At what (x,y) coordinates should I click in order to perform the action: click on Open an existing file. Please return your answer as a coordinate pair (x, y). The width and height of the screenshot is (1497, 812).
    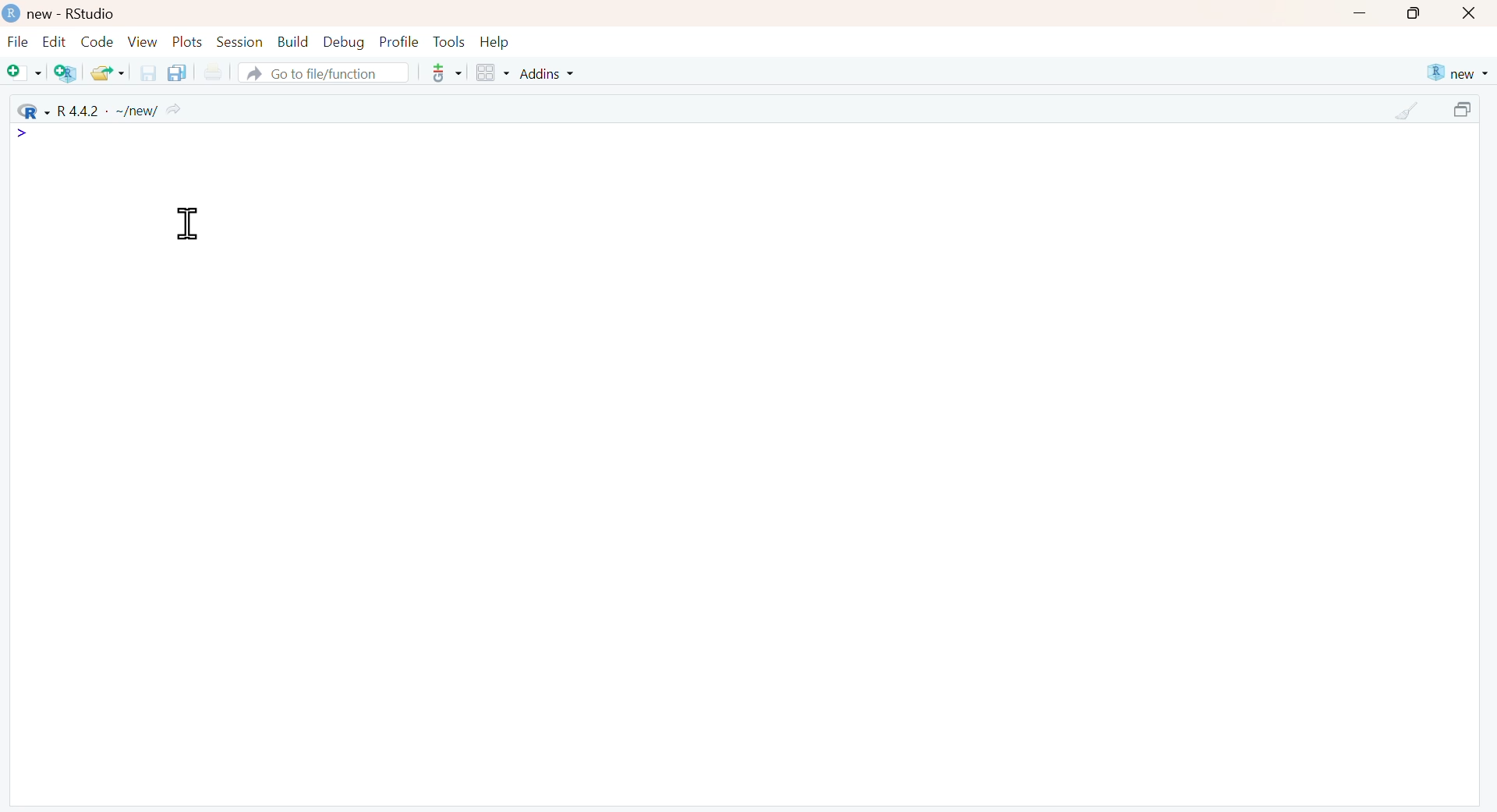
    Looking at the image, I should click on (107, 72).